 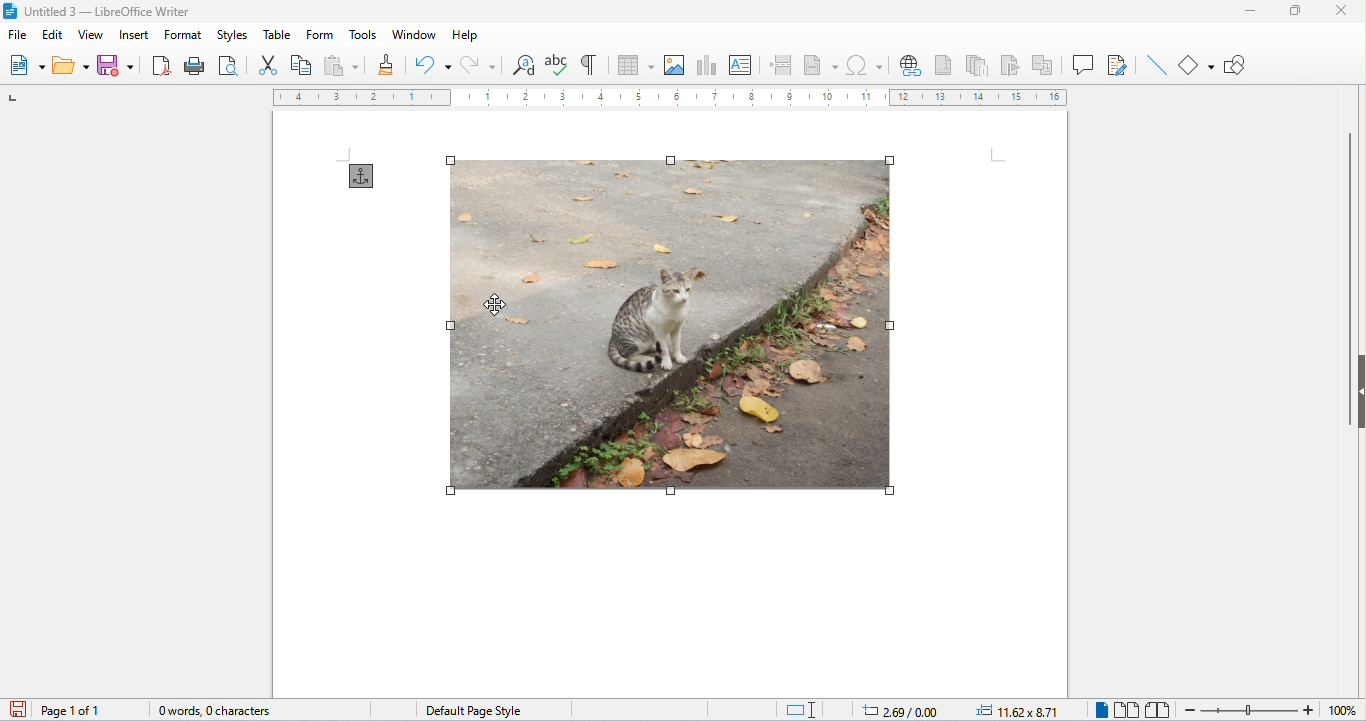 I want to click on form, so click(x=321, y=34).